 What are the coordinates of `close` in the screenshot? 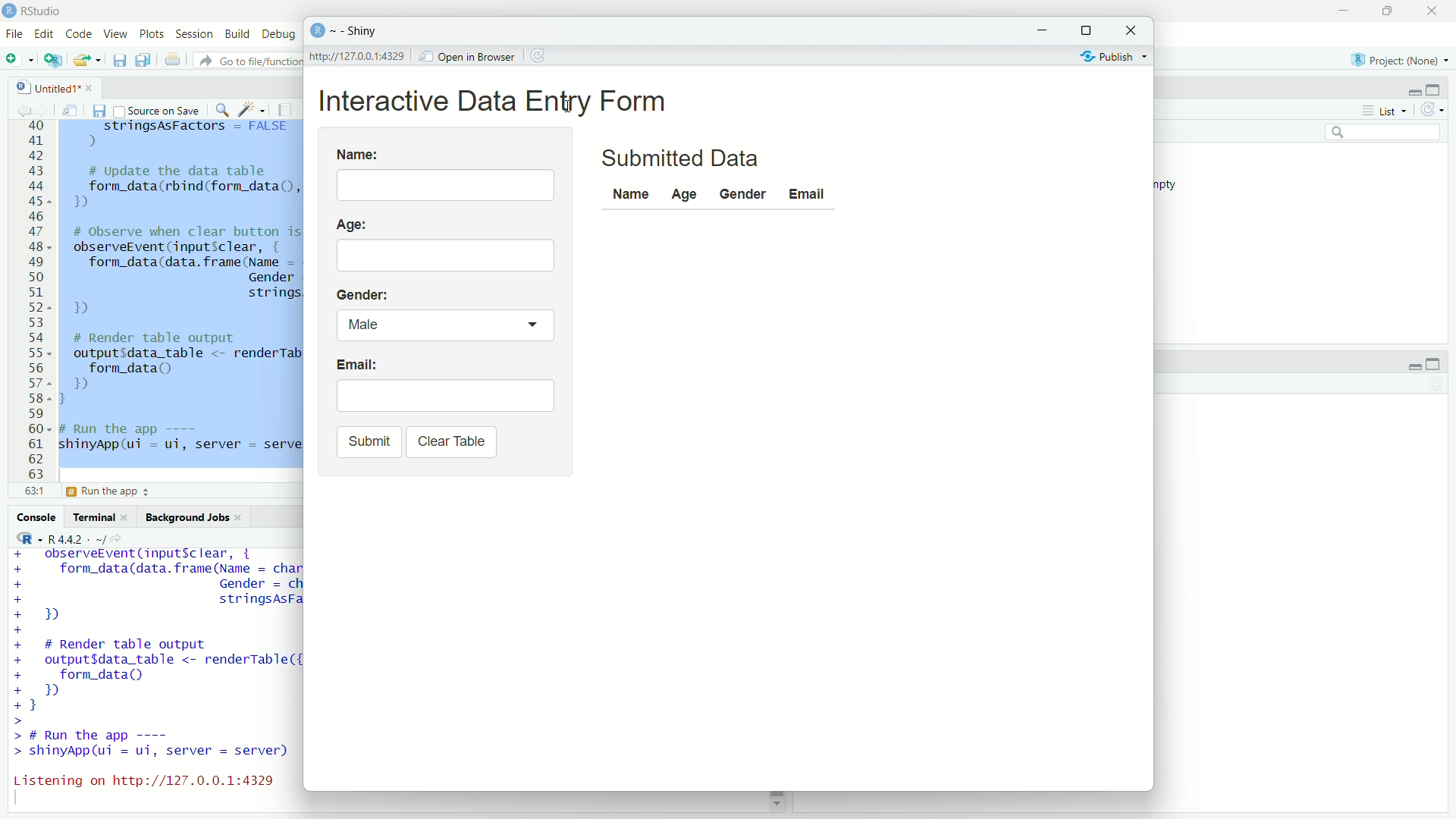 It's located at (1436, 11).